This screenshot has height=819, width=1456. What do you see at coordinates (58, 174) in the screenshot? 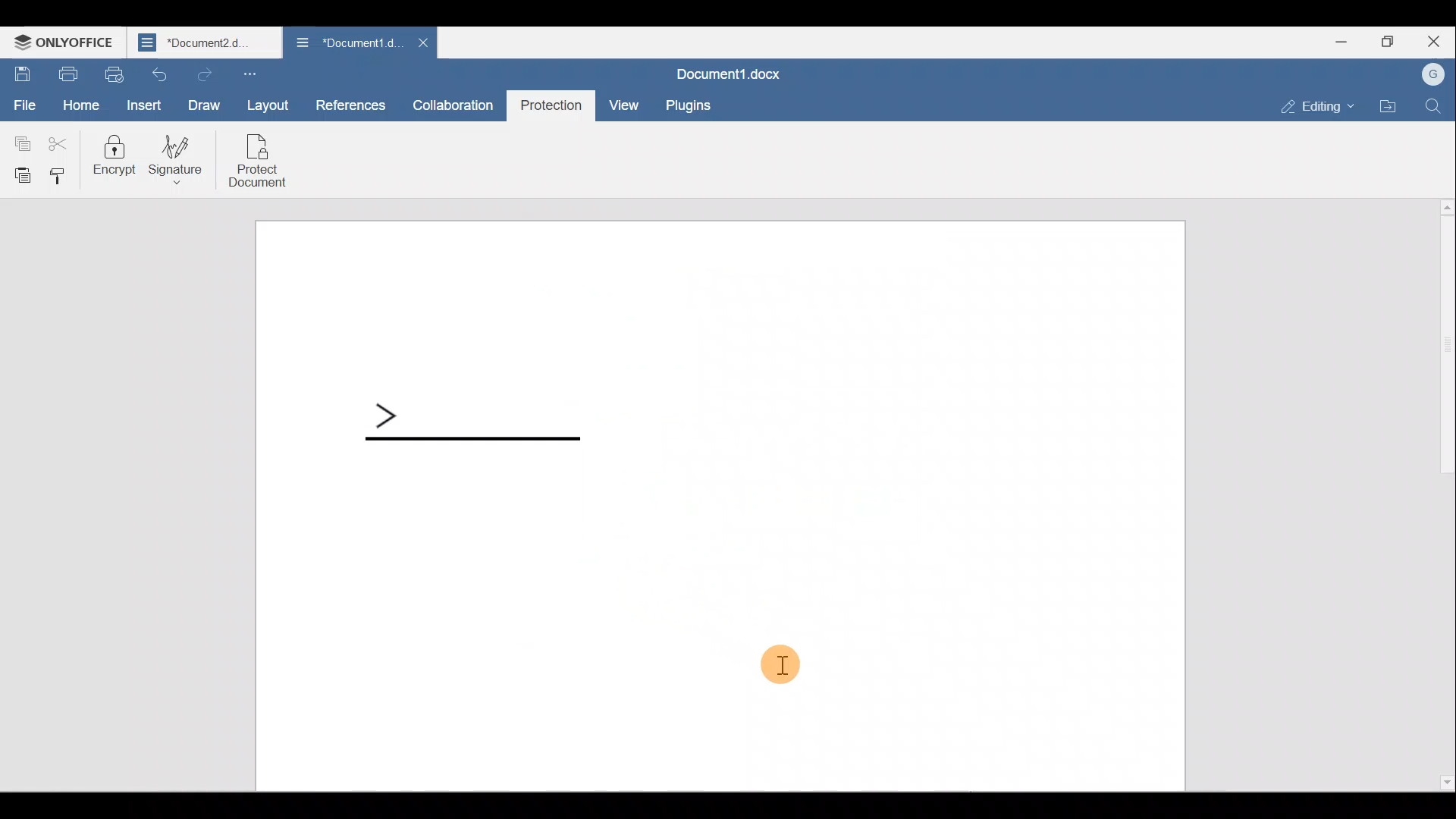
I see `Copy style` at bounding box center [58, 174].